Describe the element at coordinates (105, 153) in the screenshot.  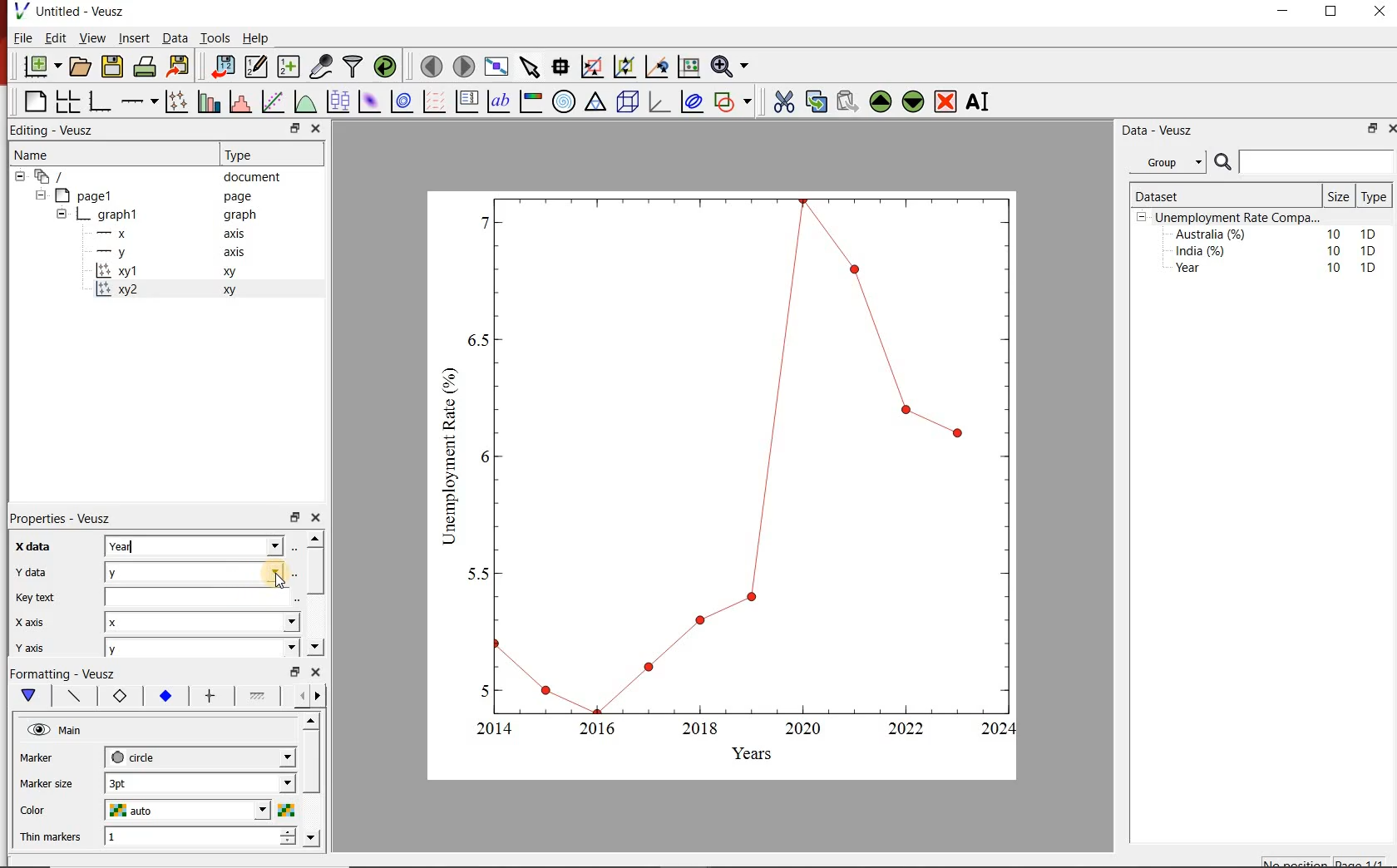
I see `Name` at that location.